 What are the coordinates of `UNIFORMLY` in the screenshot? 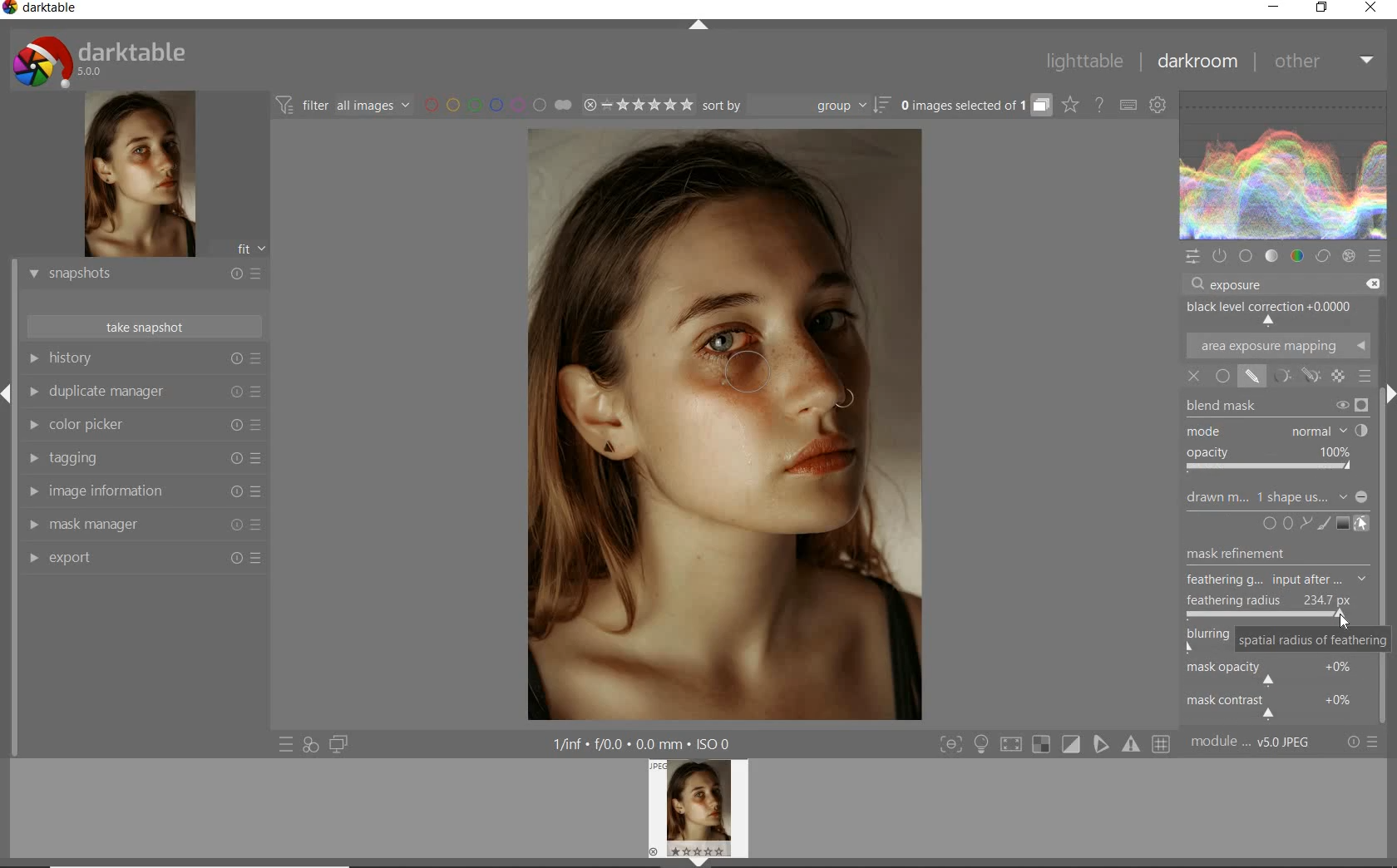 It's located at (1222, 376).